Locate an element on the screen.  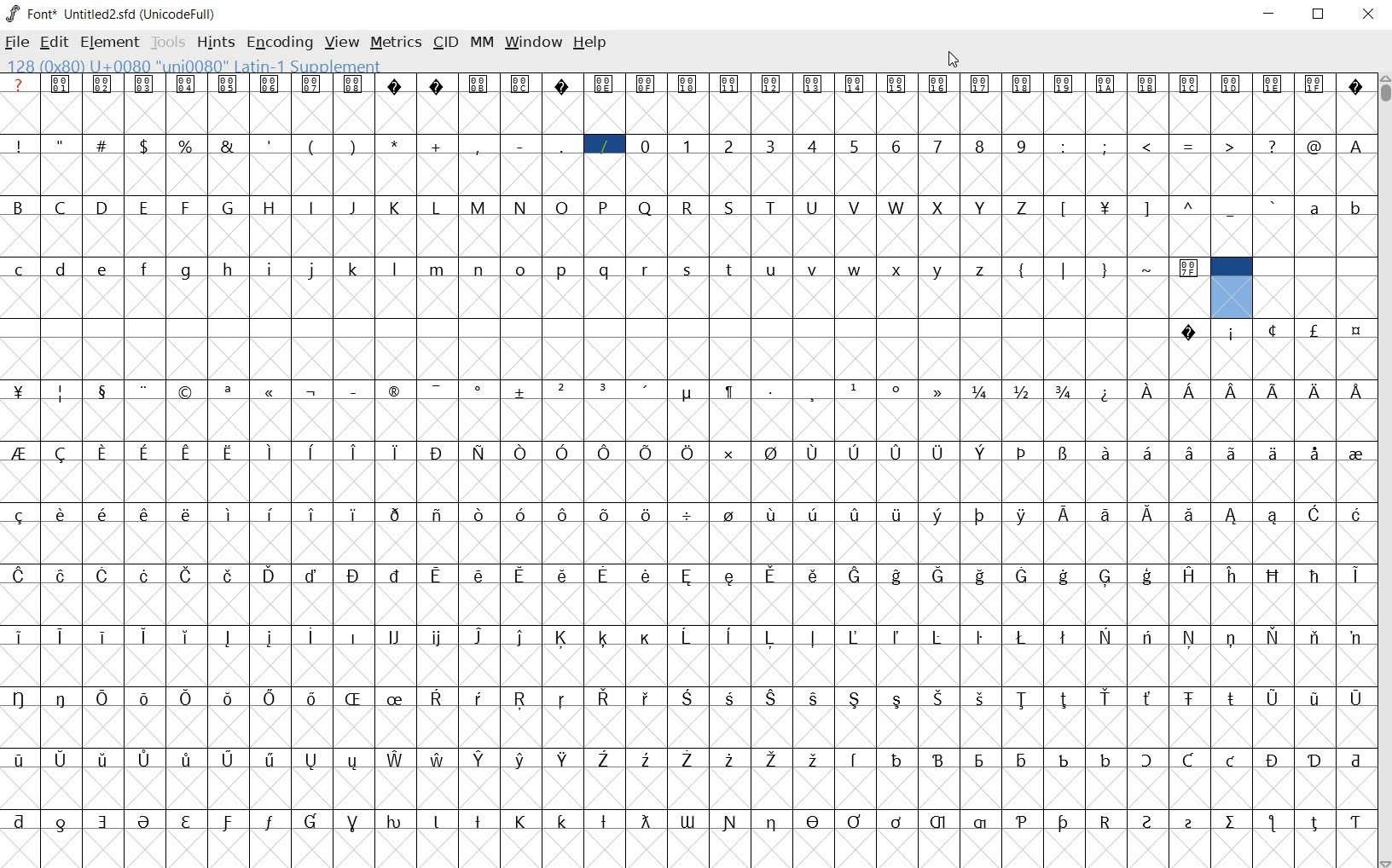
Symbol is located at coordinates (855, 454).